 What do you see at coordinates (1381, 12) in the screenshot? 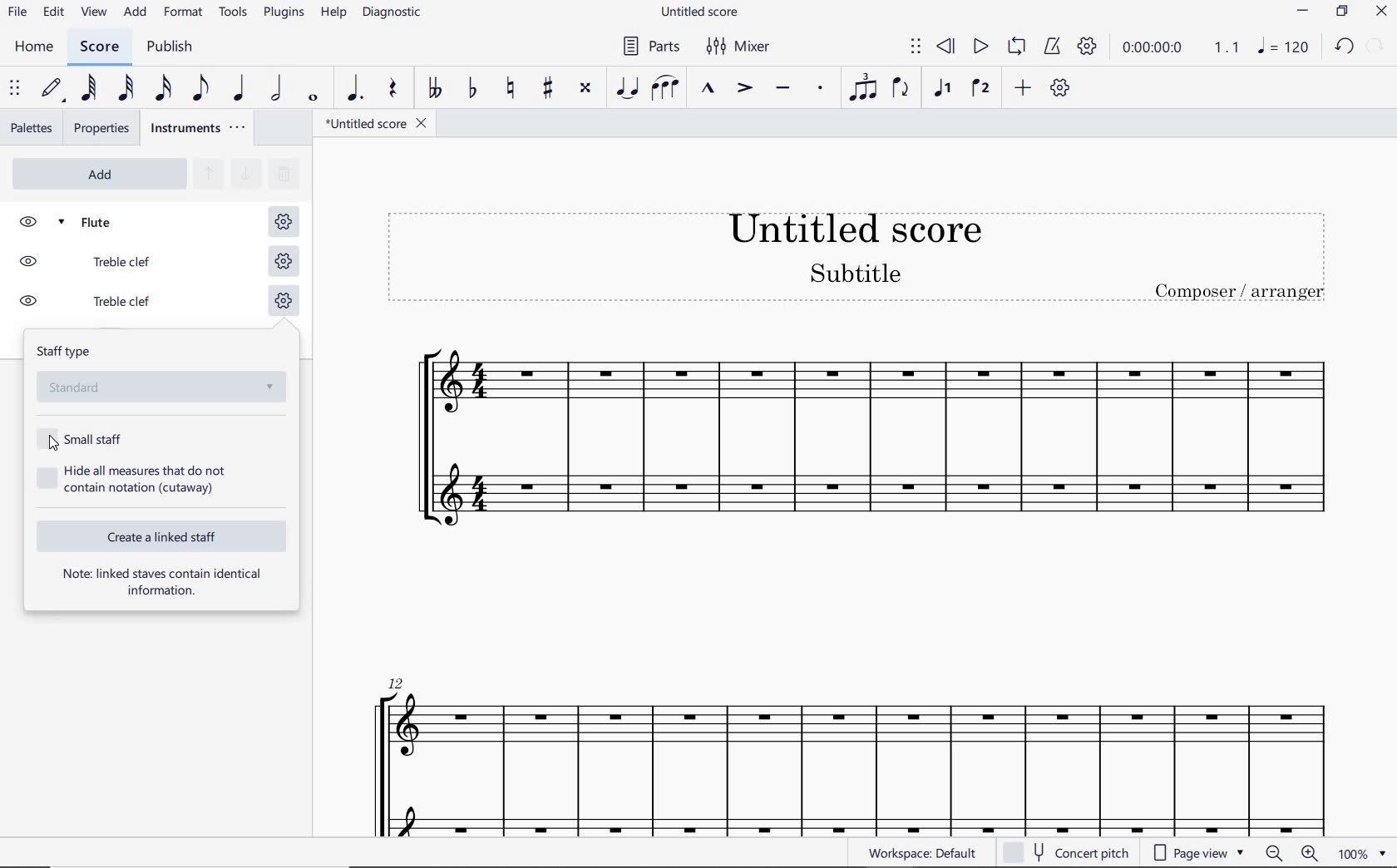
I see `CLOSE` at bounding box center [1381, 12].